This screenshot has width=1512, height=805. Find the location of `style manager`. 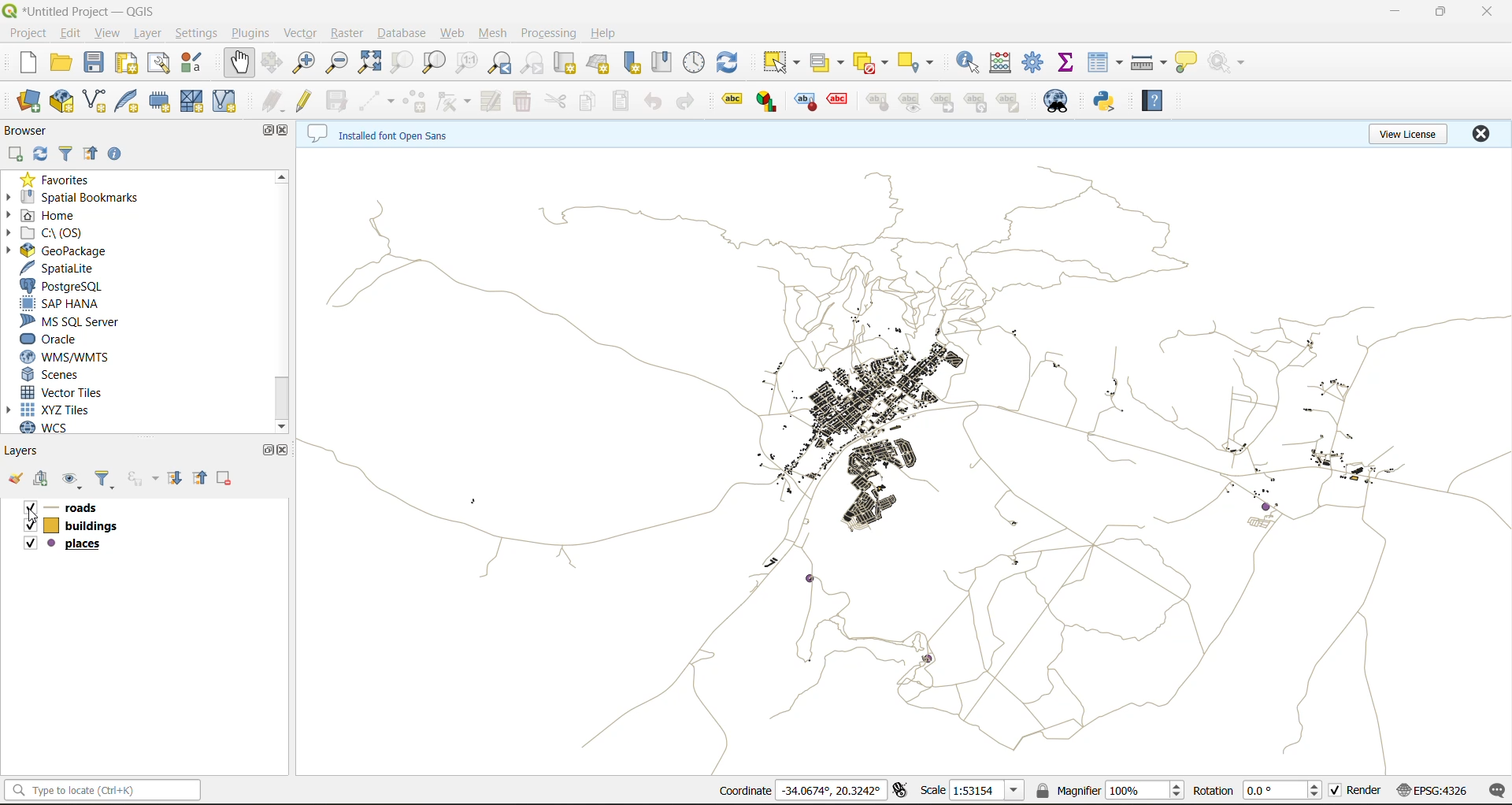

style manager is located at coordinates (195, 65).